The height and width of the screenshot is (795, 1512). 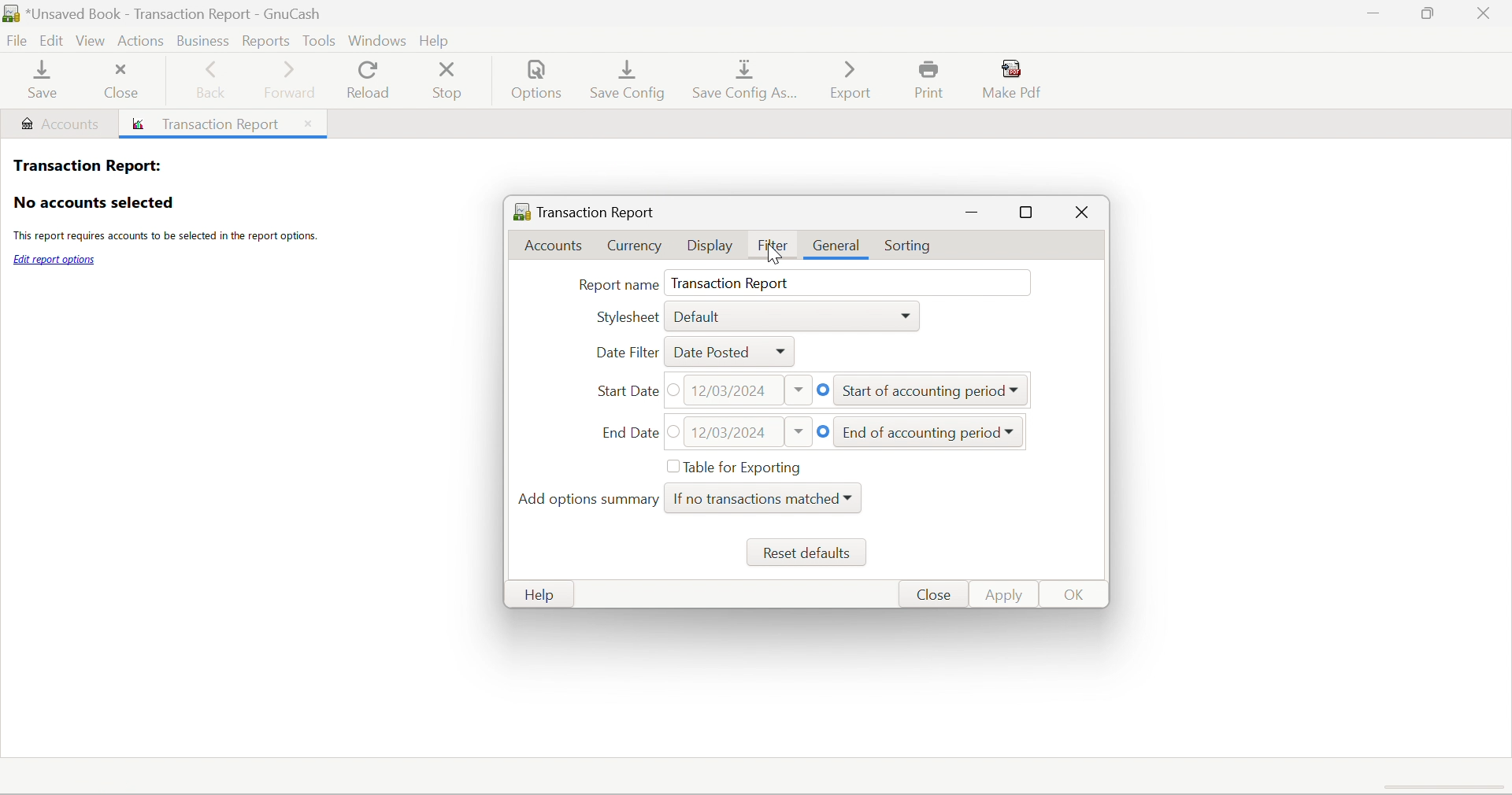 I want to click on Back, so click(x=213, y=82).